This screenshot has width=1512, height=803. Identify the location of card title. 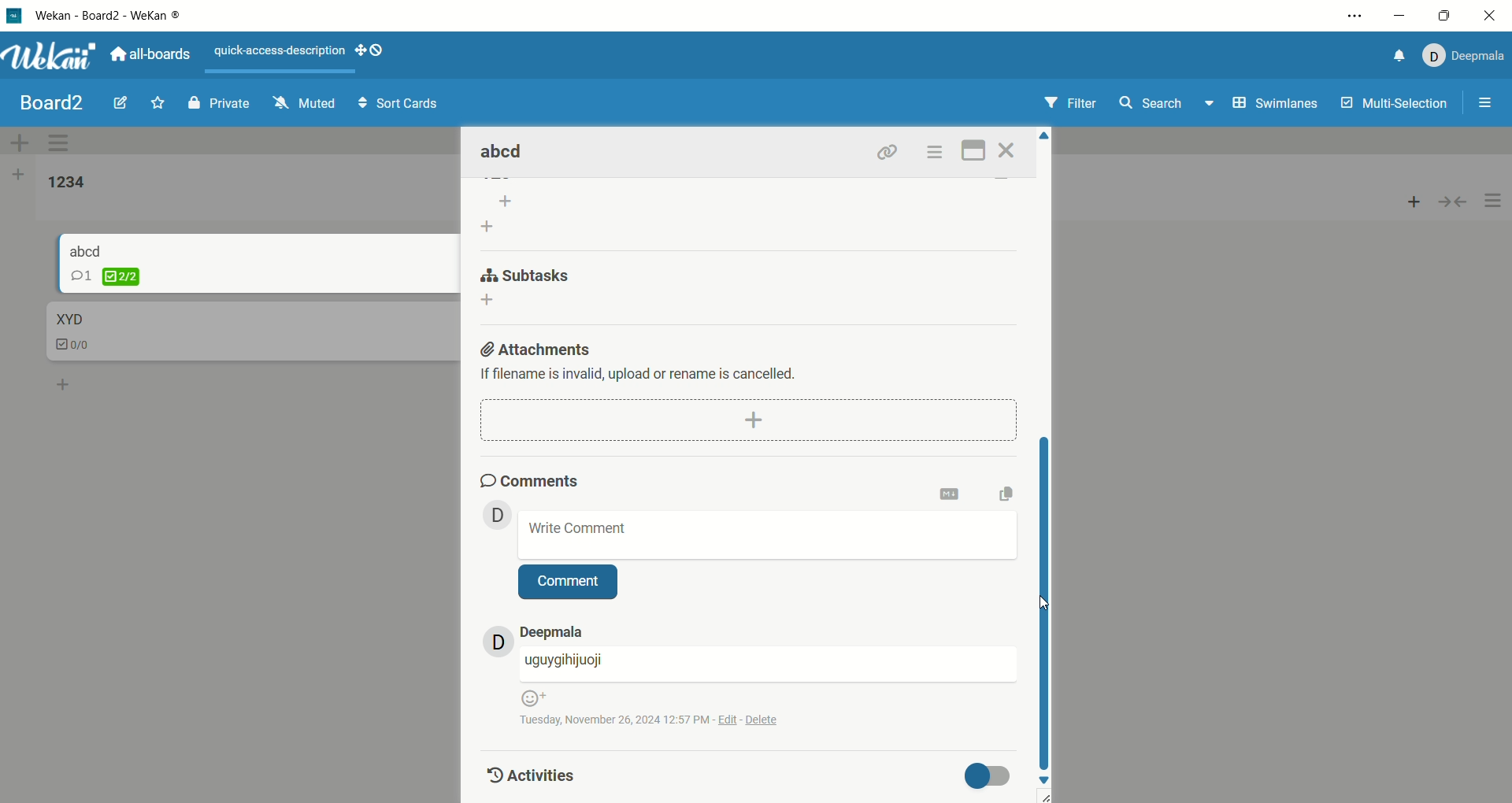
(87, 250).